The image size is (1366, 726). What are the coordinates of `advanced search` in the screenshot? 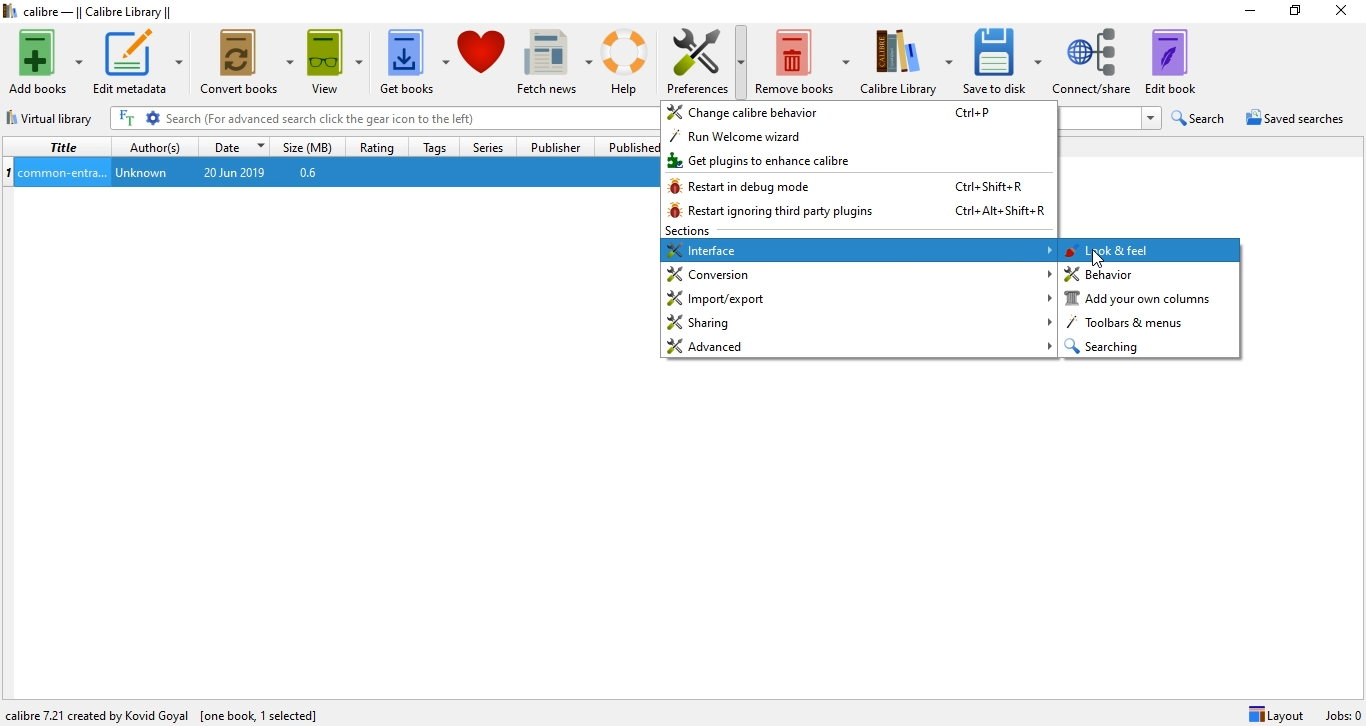 It's located at (154, 118).